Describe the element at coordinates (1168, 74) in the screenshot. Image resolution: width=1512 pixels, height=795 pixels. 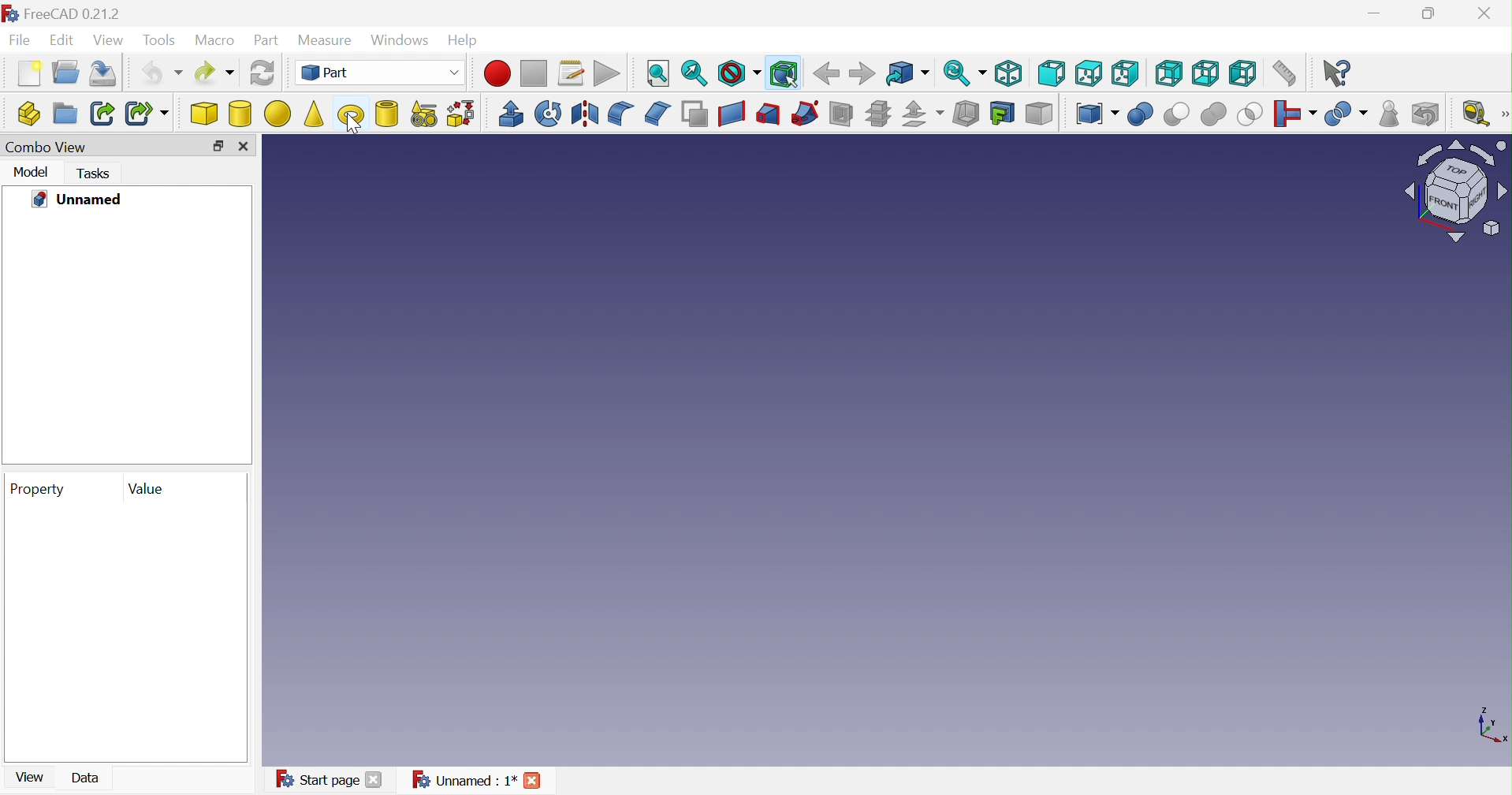
I see `Rear` at that location.